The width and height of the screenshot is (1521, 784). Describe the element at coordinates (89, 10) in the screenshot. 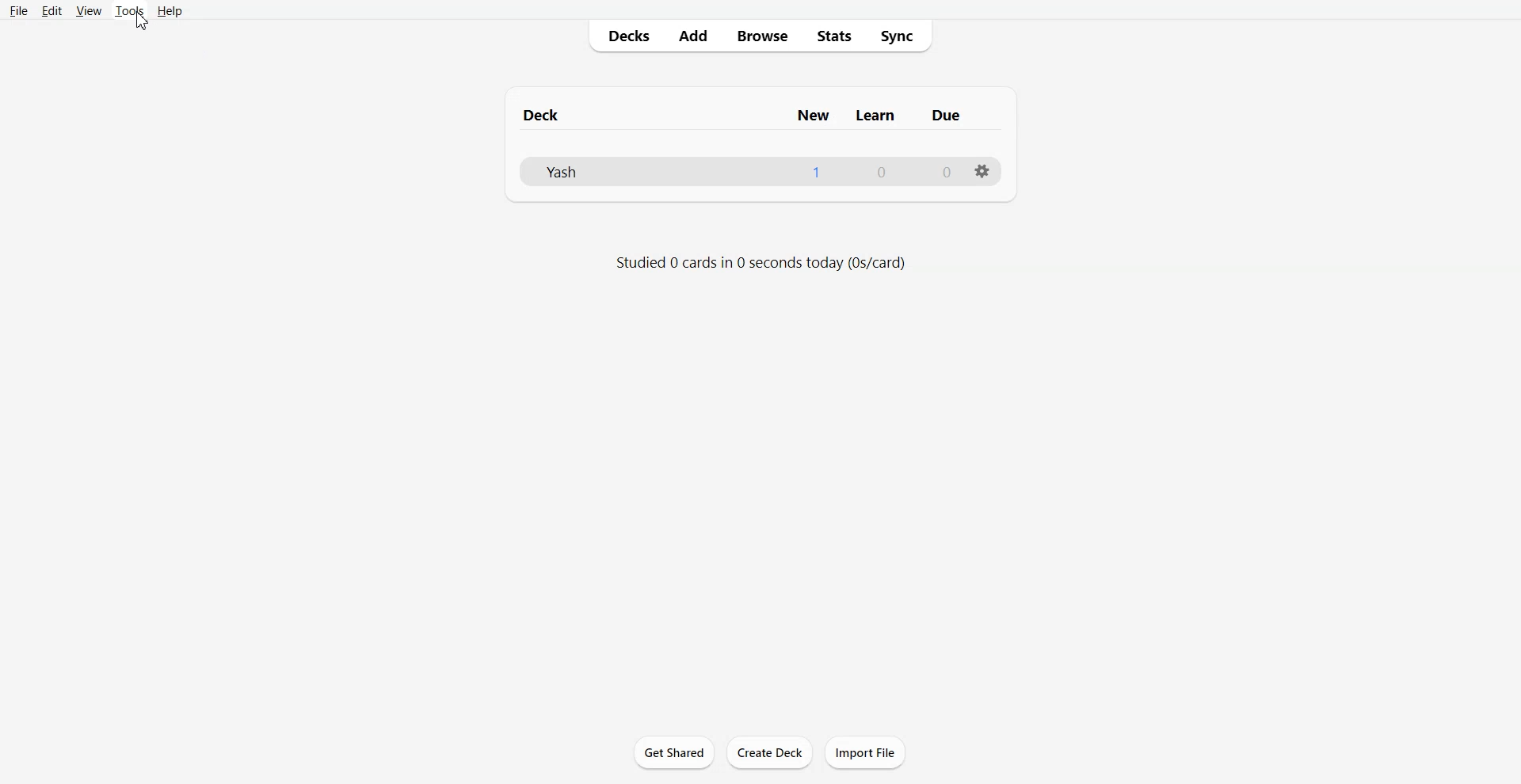

I see `View` at that location.